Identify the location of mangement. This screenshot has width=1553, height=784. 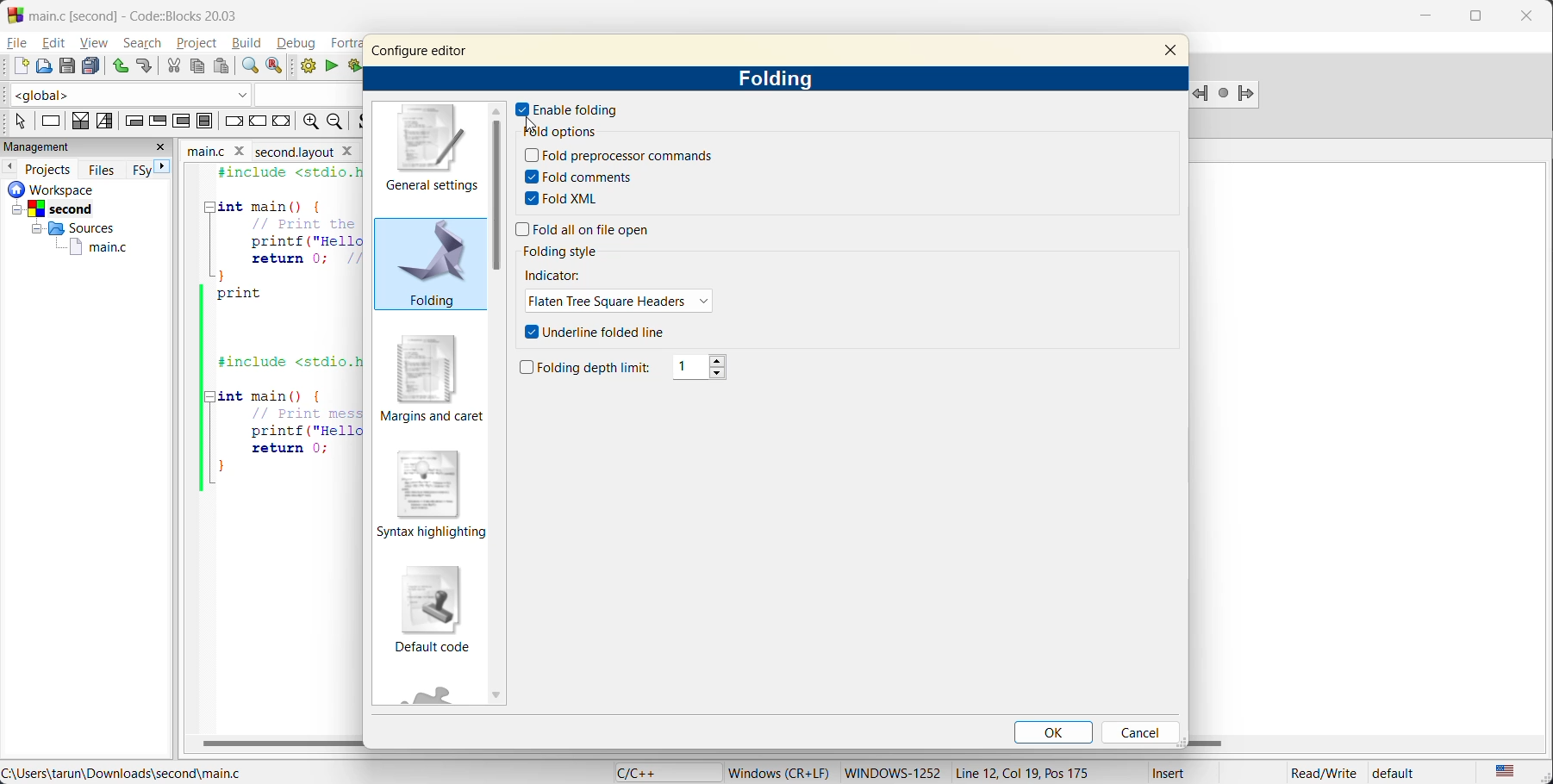
(48, 145).